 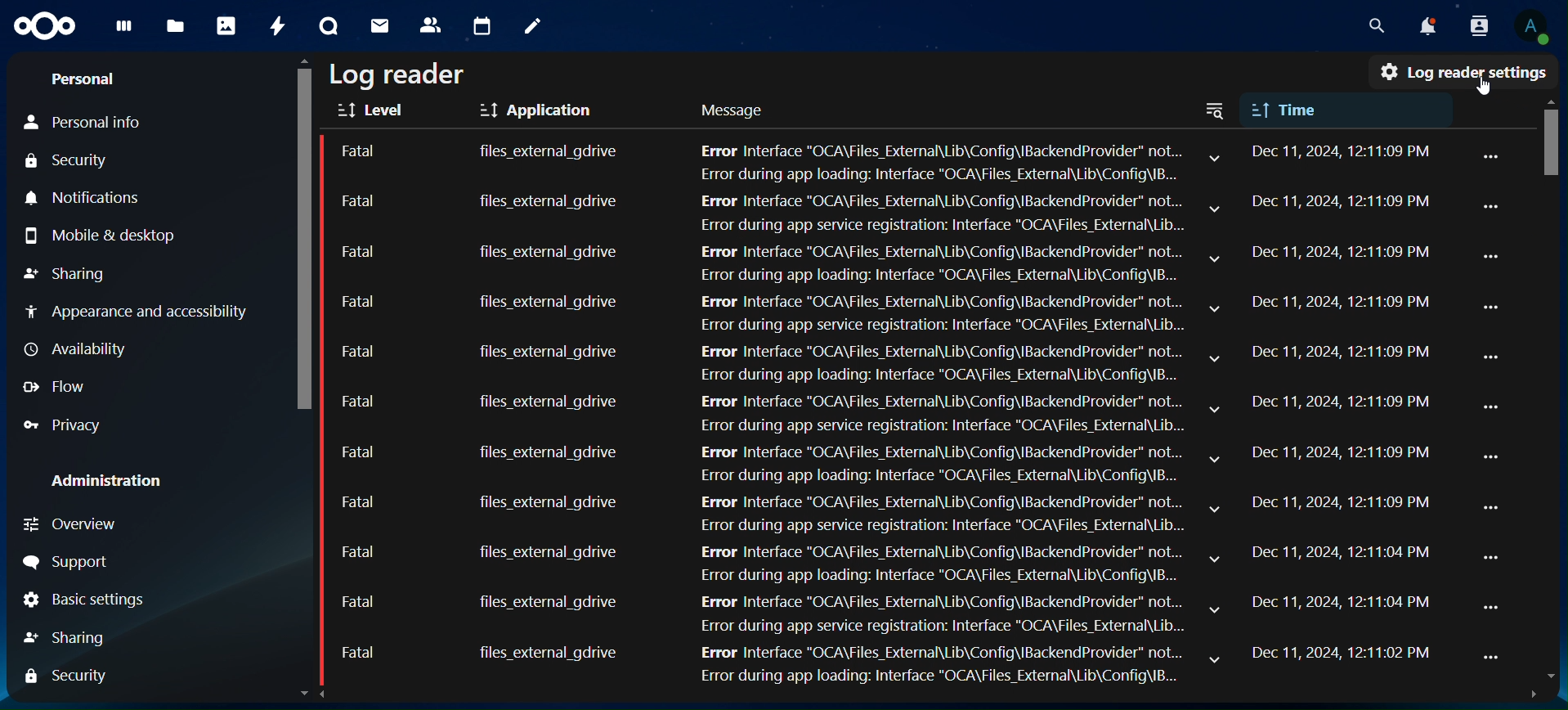 I want to click on information about log level, application, it's message and time details, so click(x=891, y=614).